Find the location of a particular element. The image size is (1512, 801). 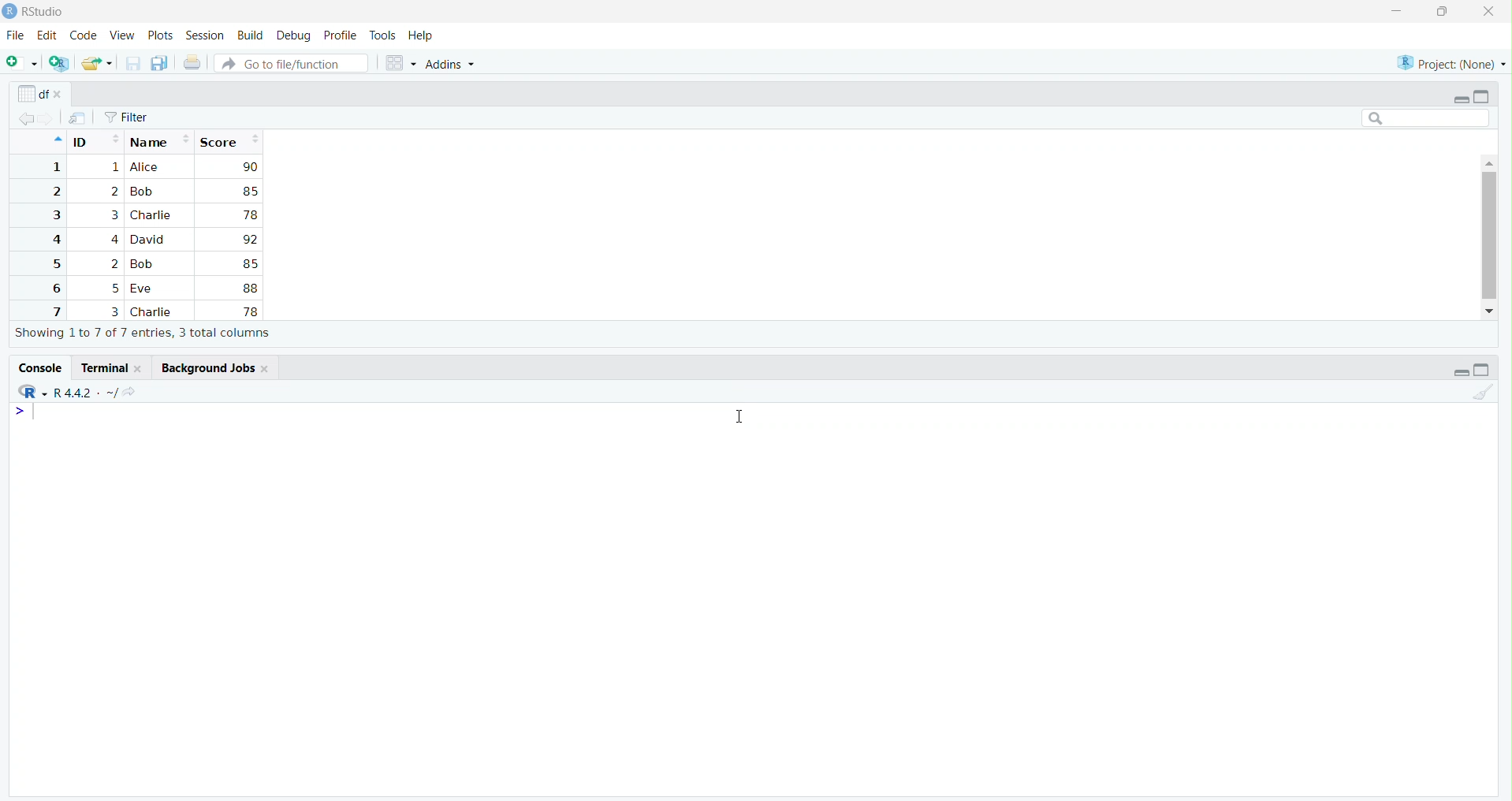

start typing is located at coordinates (28, 412).